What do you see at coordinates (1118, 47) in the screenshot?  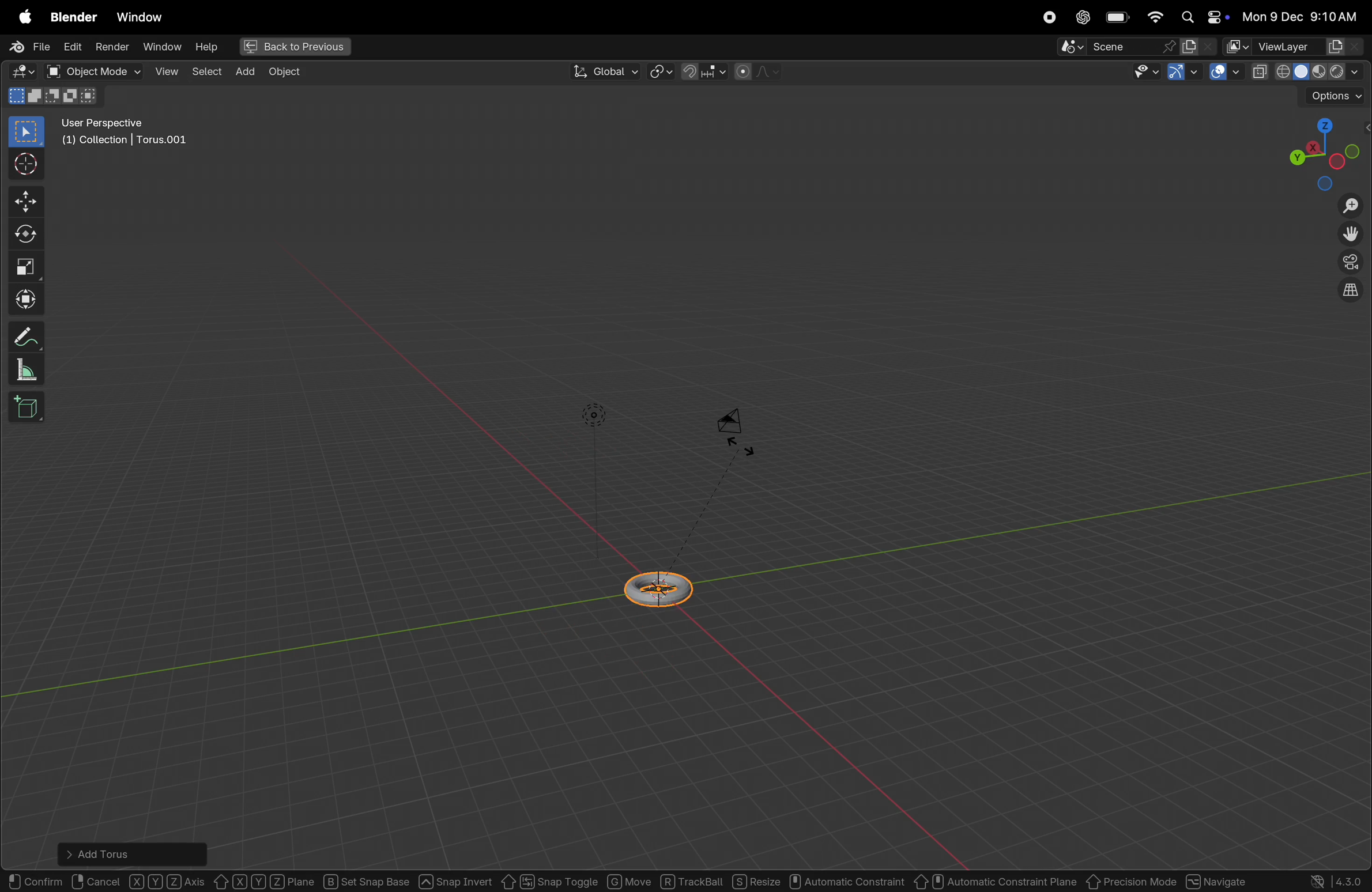 I see `scene` at bounding box center [1118, 47].